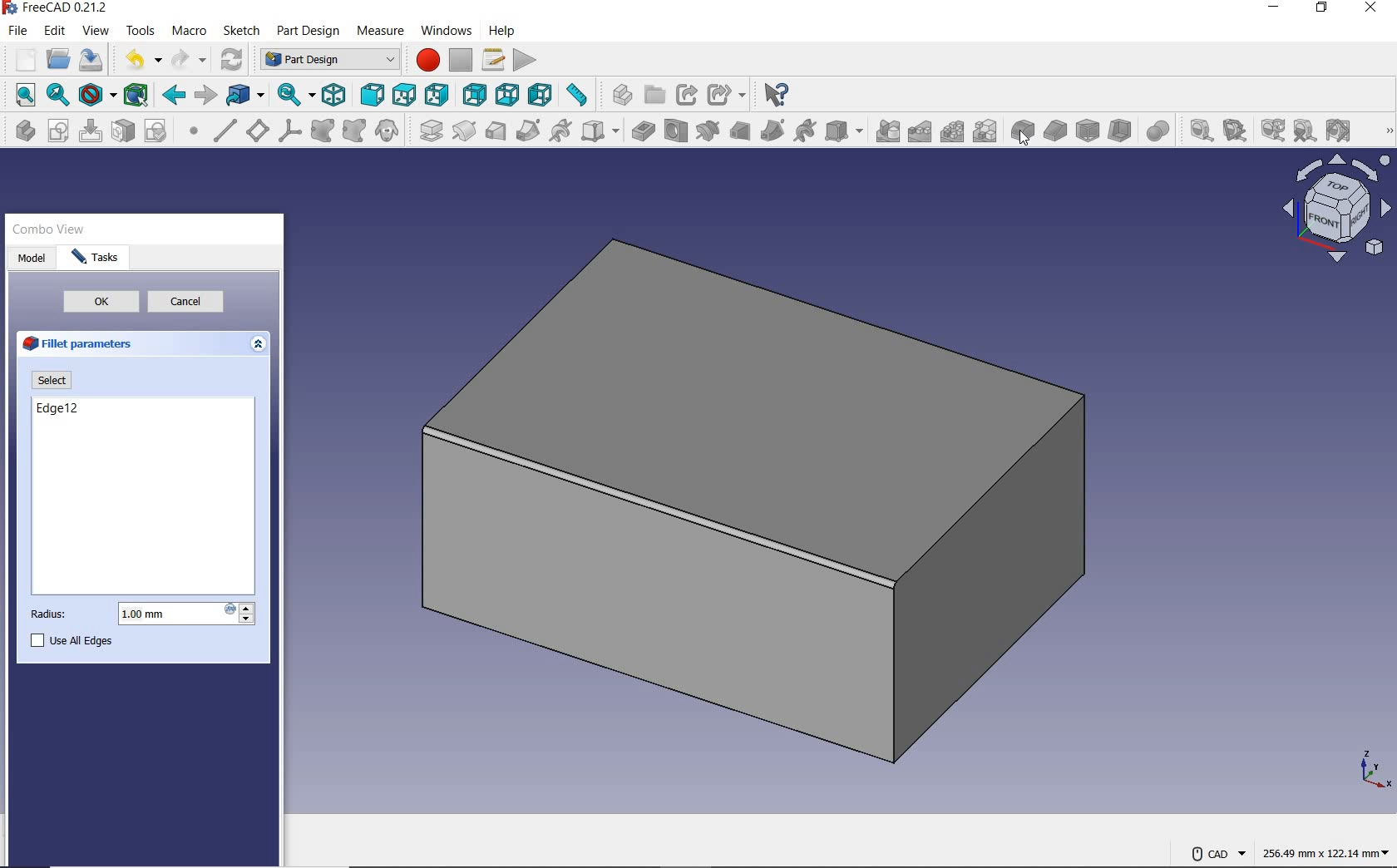  Describe the element at coordinates (58, 9) in the screenshot. I see `system name` at that location.